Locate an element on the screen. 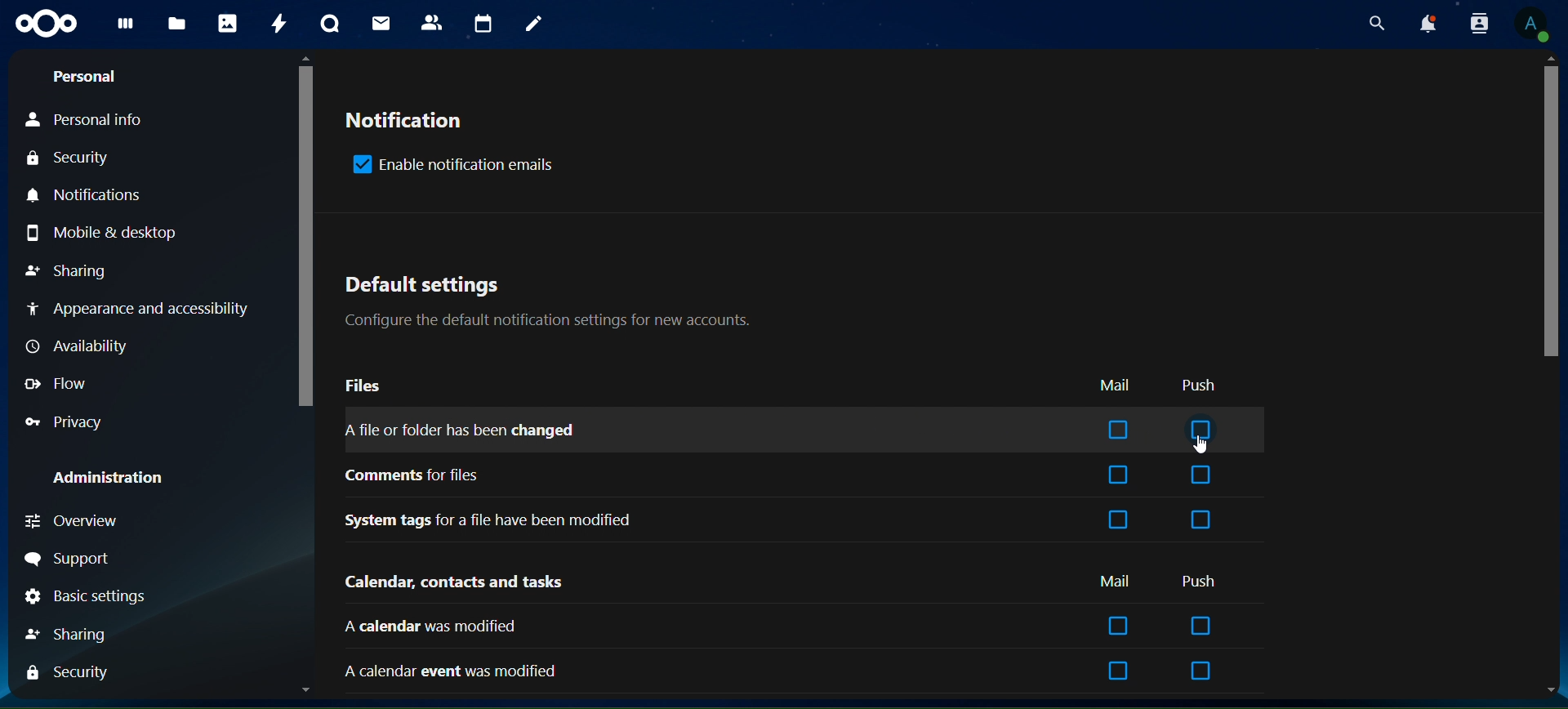 The width and height of the screenshot is (1568, 709). box is located at coordinates (1118, 431).